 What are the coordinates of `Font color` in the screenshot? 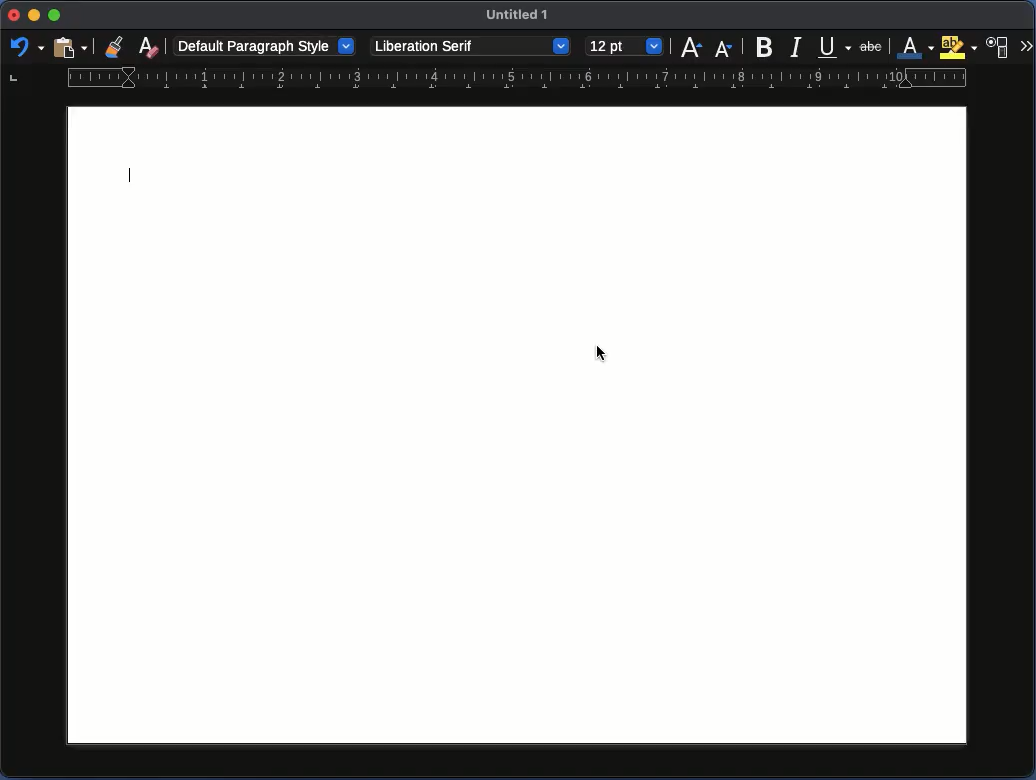 It's located at (916, 48).